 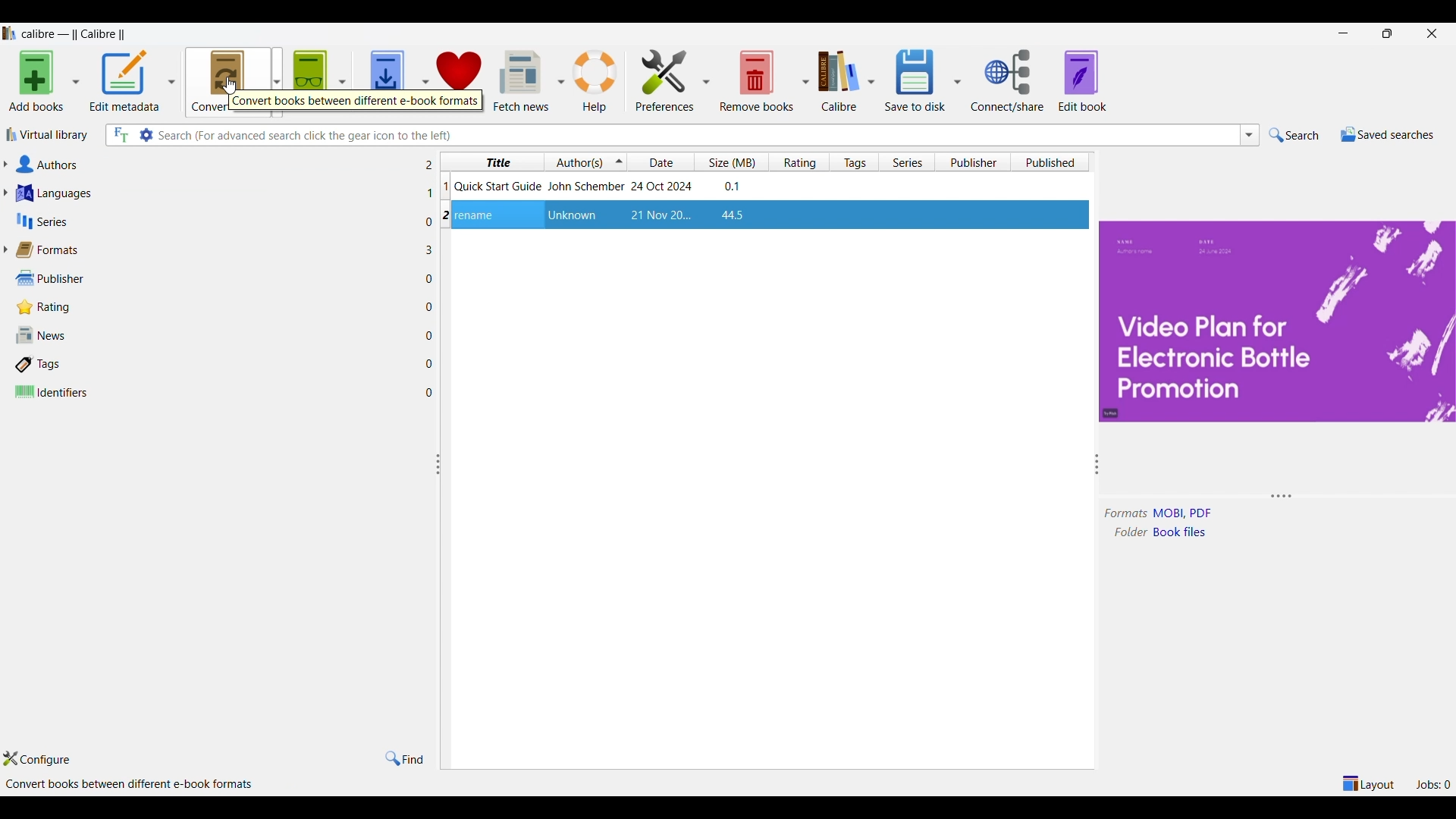 What do you see at coordinates (388, 81) in the screenshot?
I see `Get books` at bounding box center [388, 81].